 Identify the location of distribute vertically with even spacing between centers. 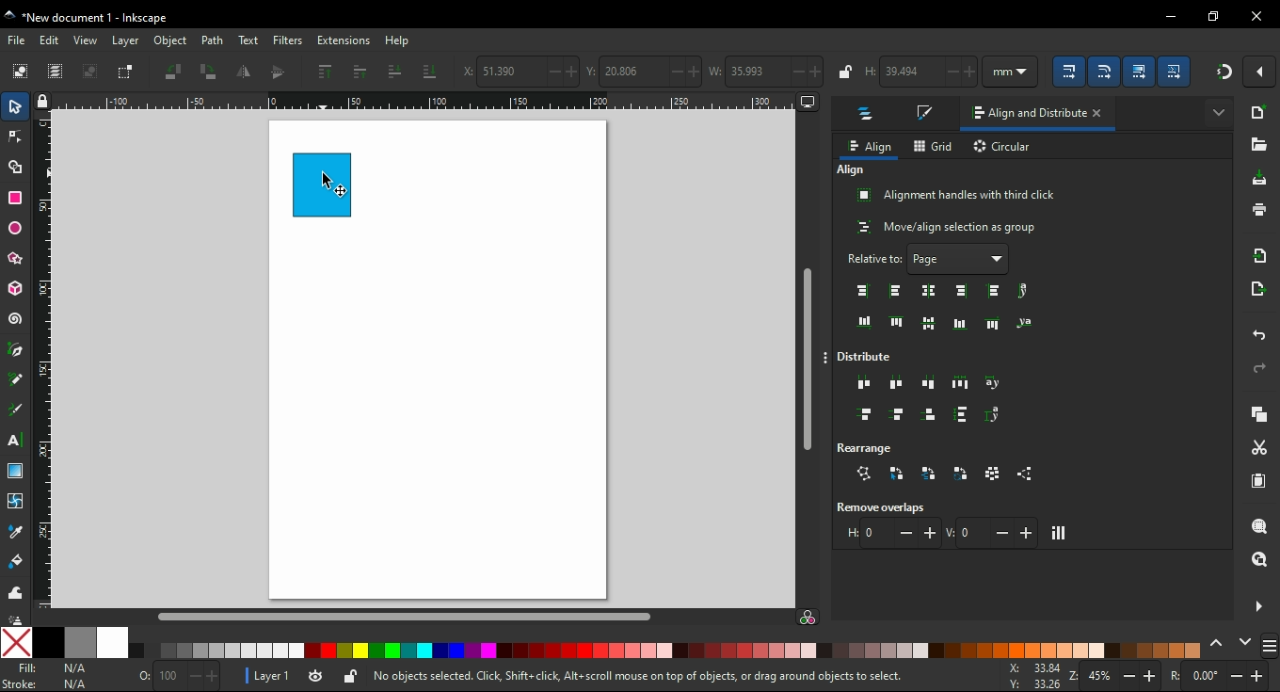
(900, 416).